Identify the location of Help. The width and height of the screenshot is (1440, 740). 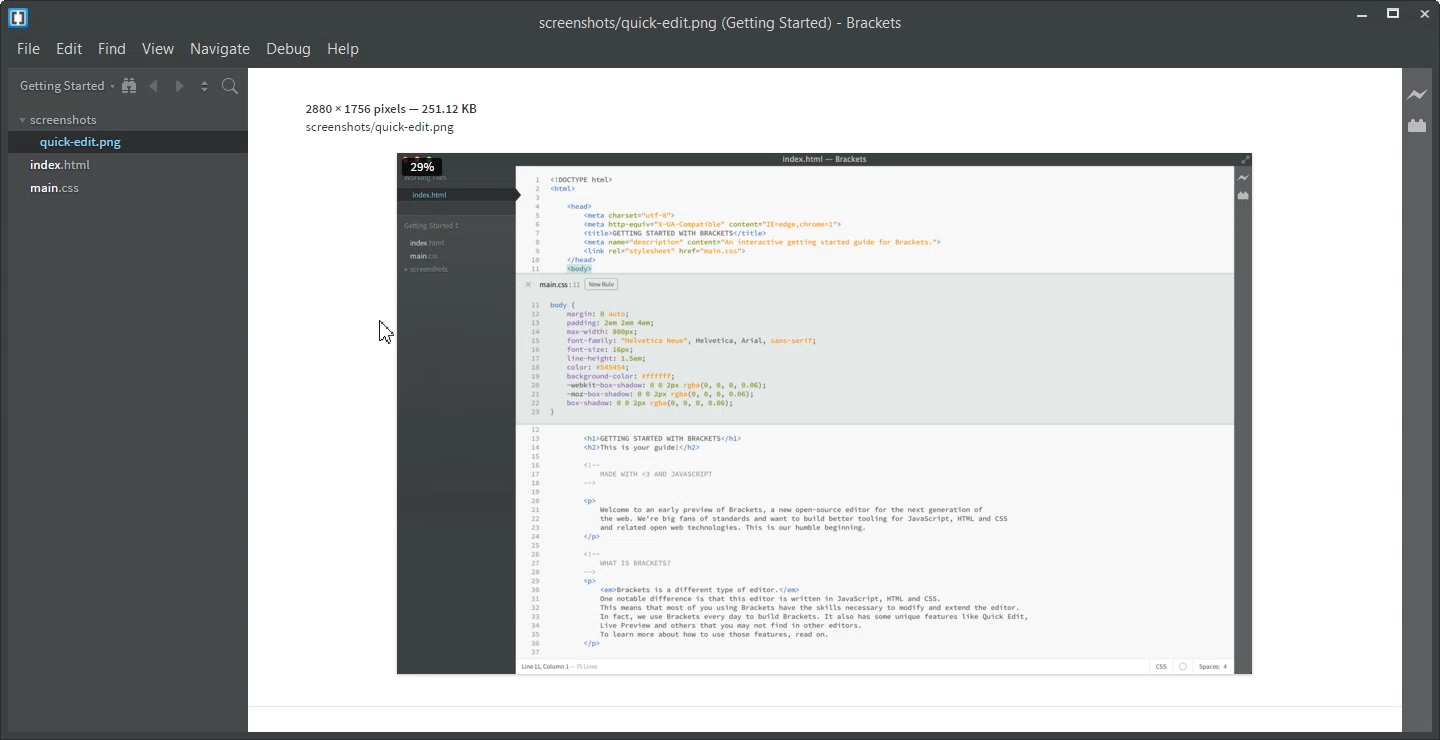
(343, 49).